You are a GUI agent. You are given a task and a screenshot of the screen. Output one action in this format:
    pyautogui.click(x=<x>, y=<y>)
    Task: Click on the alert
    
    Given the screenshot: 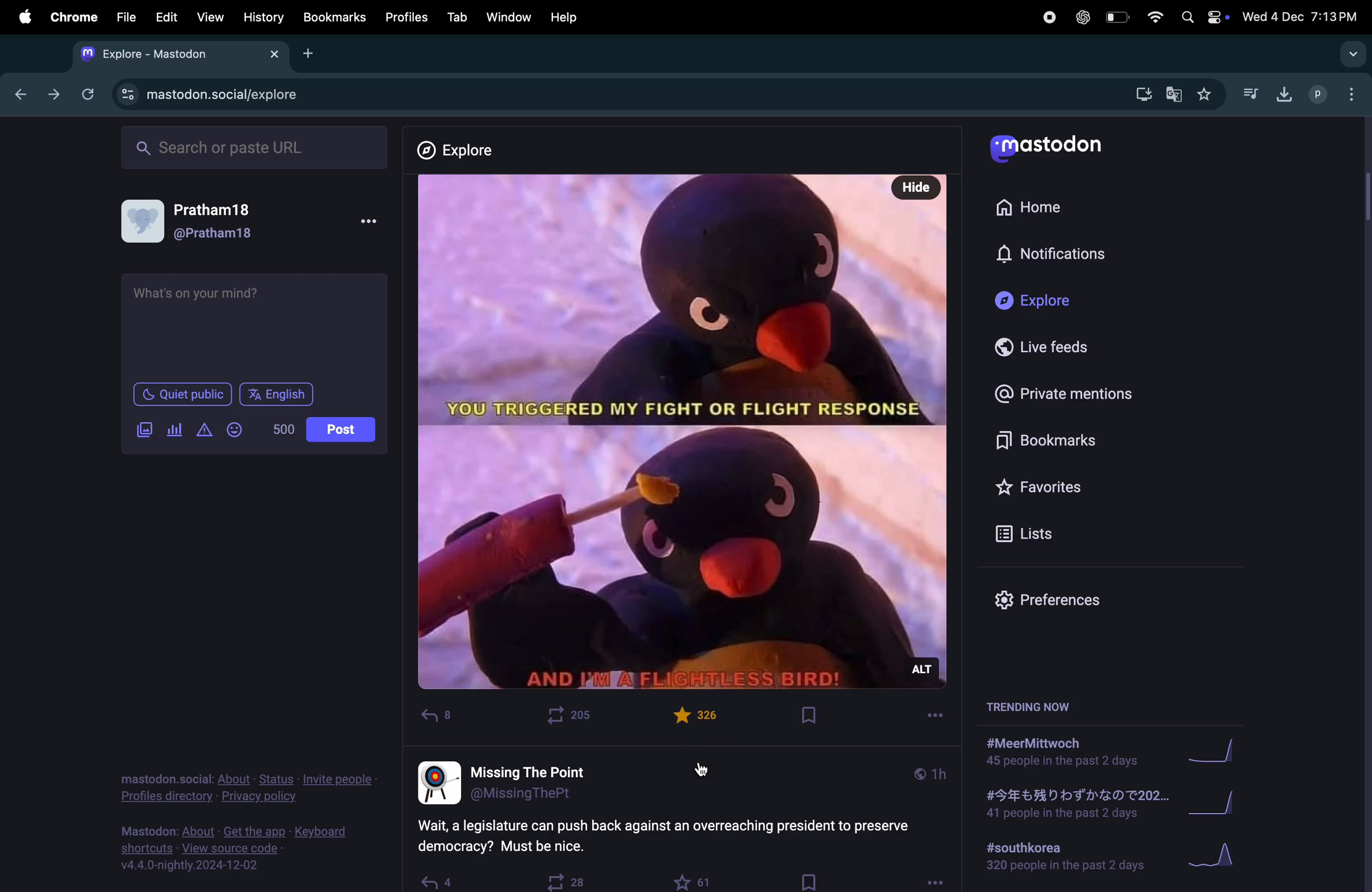 What is the action you would take?
    pyautogui.click(x=202, y=427)
    